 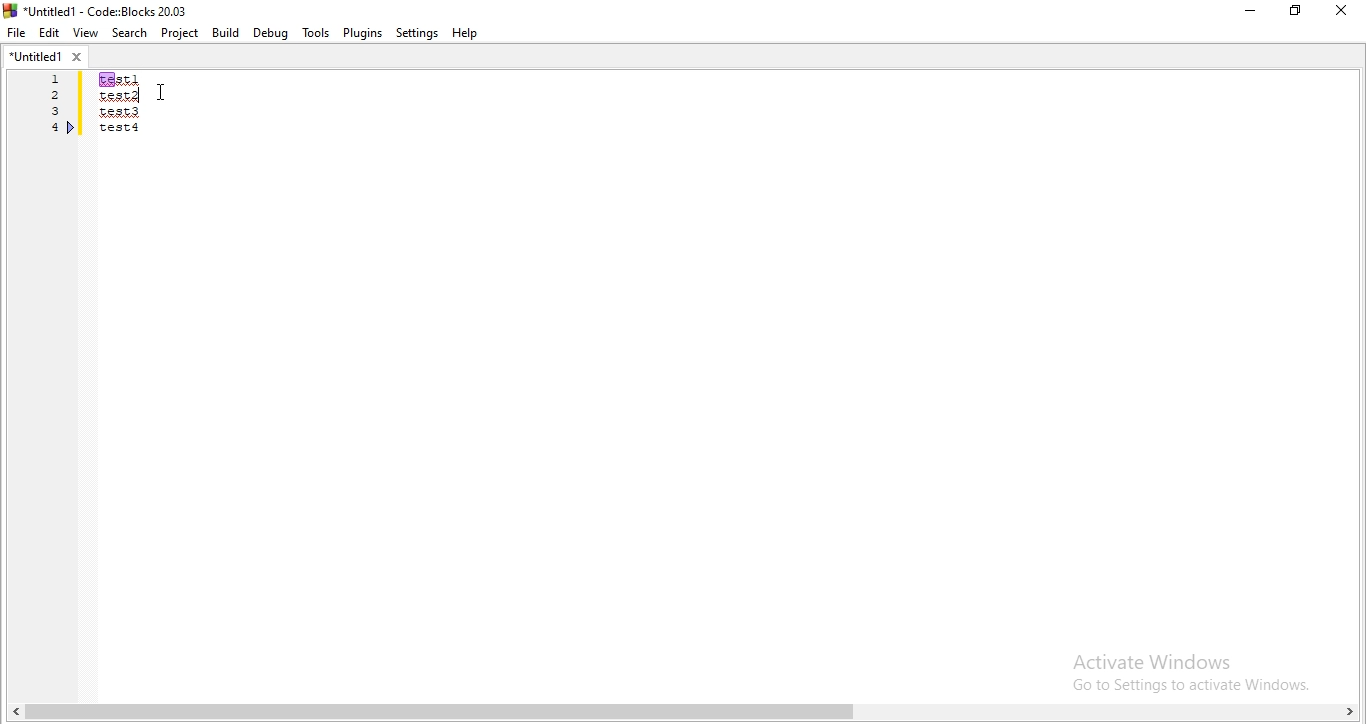 I want to click on Debug , so click(x=271, y=33).